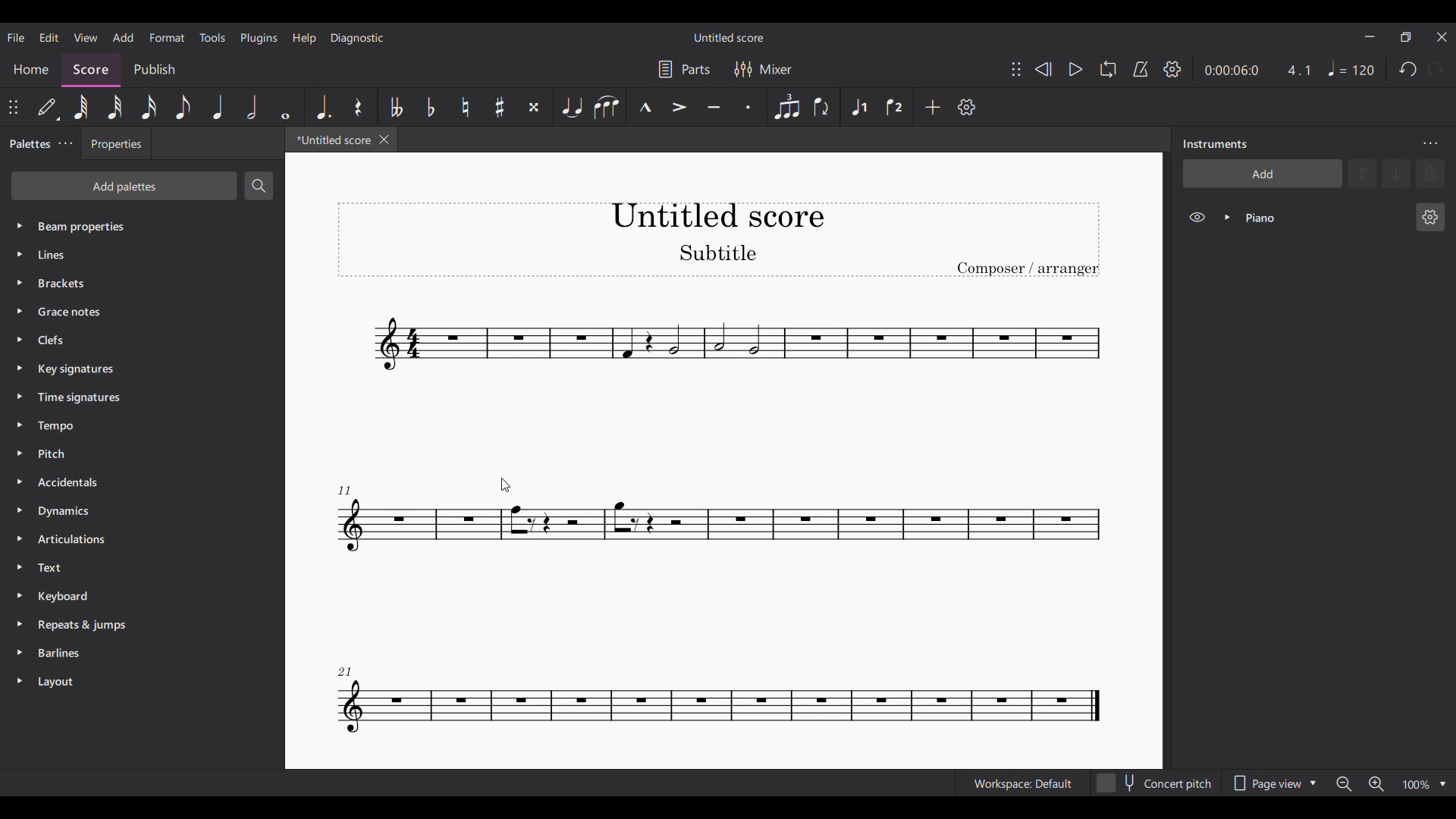 This screenshot has height=819, width=1456. I want to click on Toggle natural, so click(465, 107).